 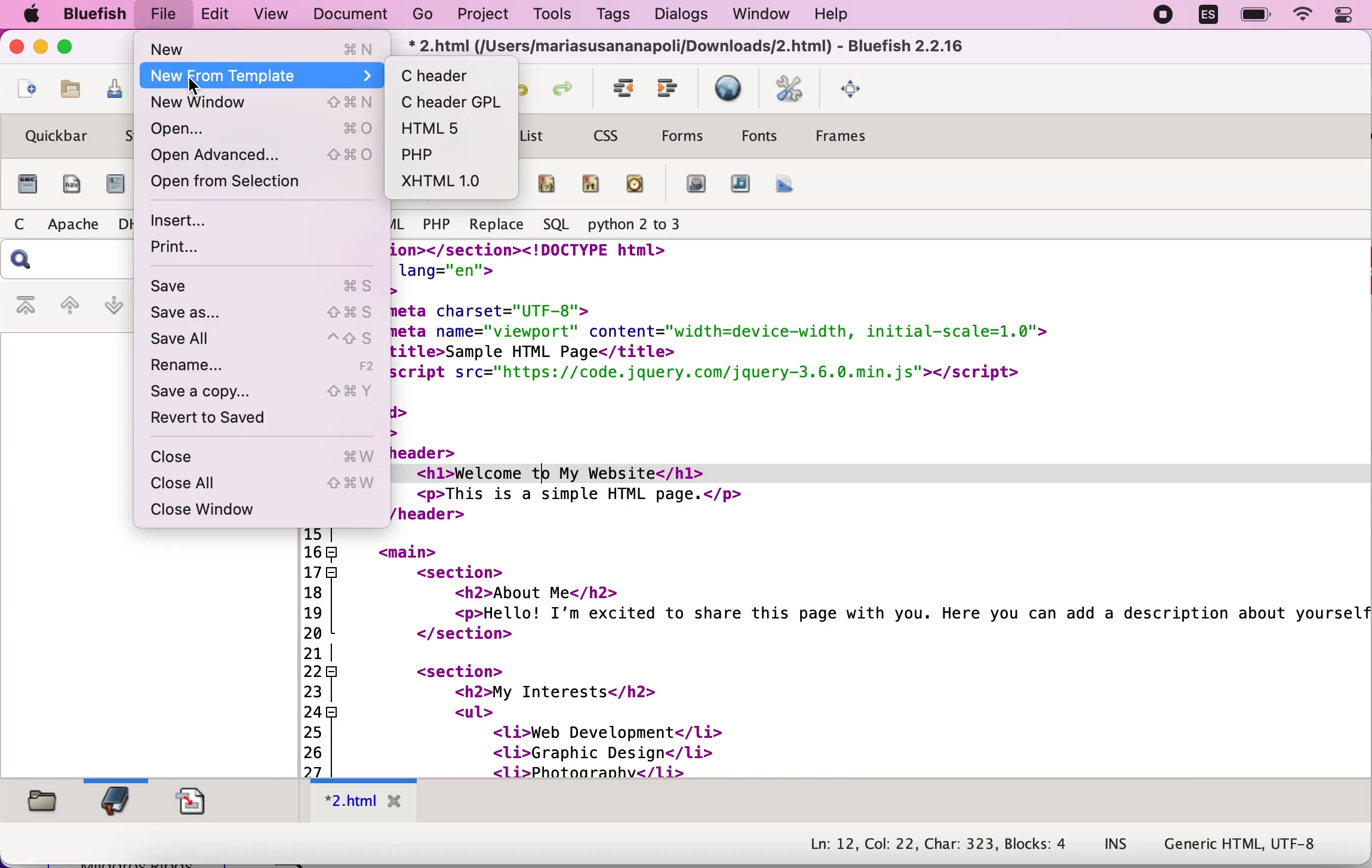 I want to click on html 5, so click(x=453, y=128).